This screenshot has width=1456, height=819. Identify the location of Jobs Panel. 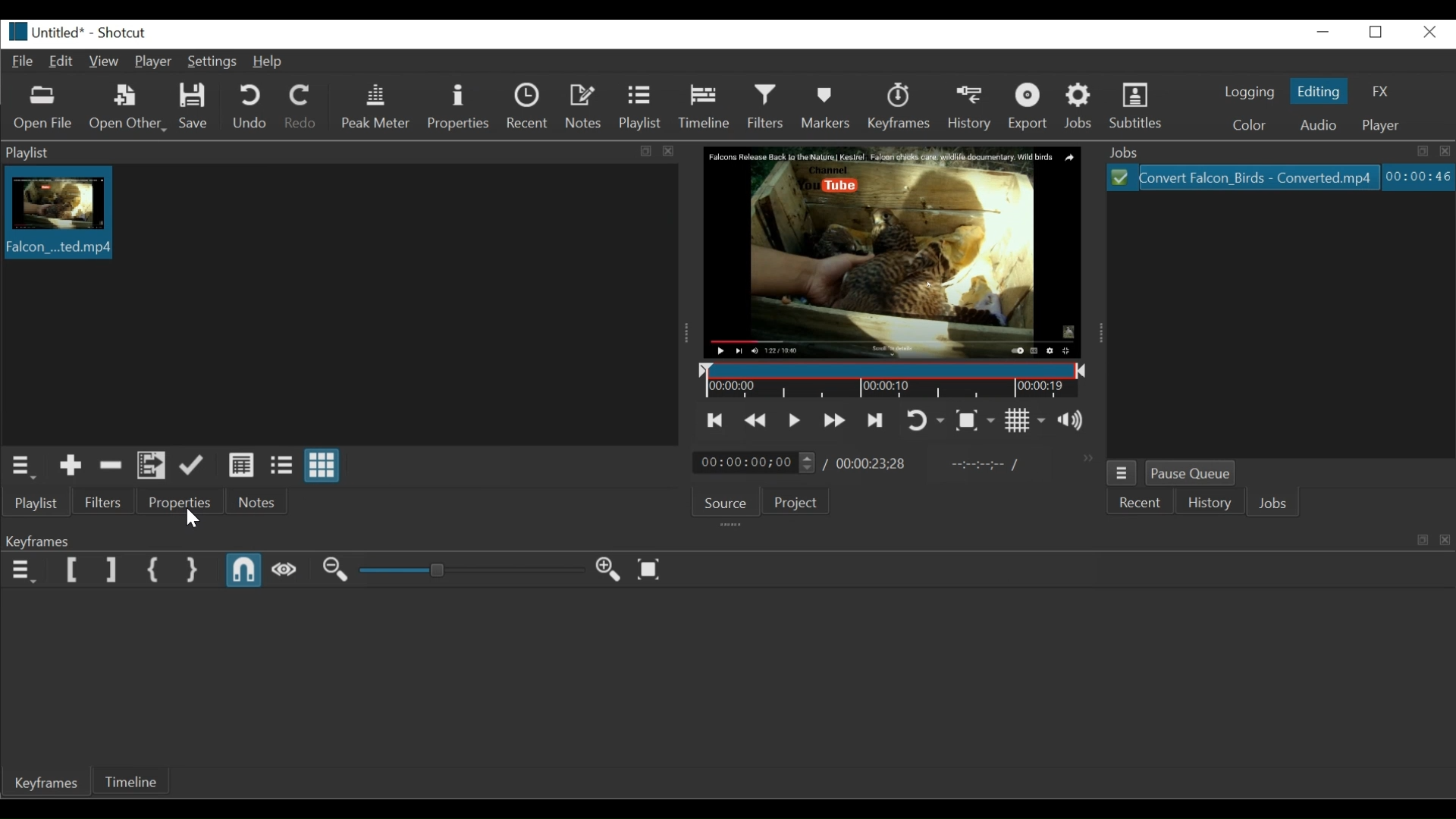
(1280, 151).